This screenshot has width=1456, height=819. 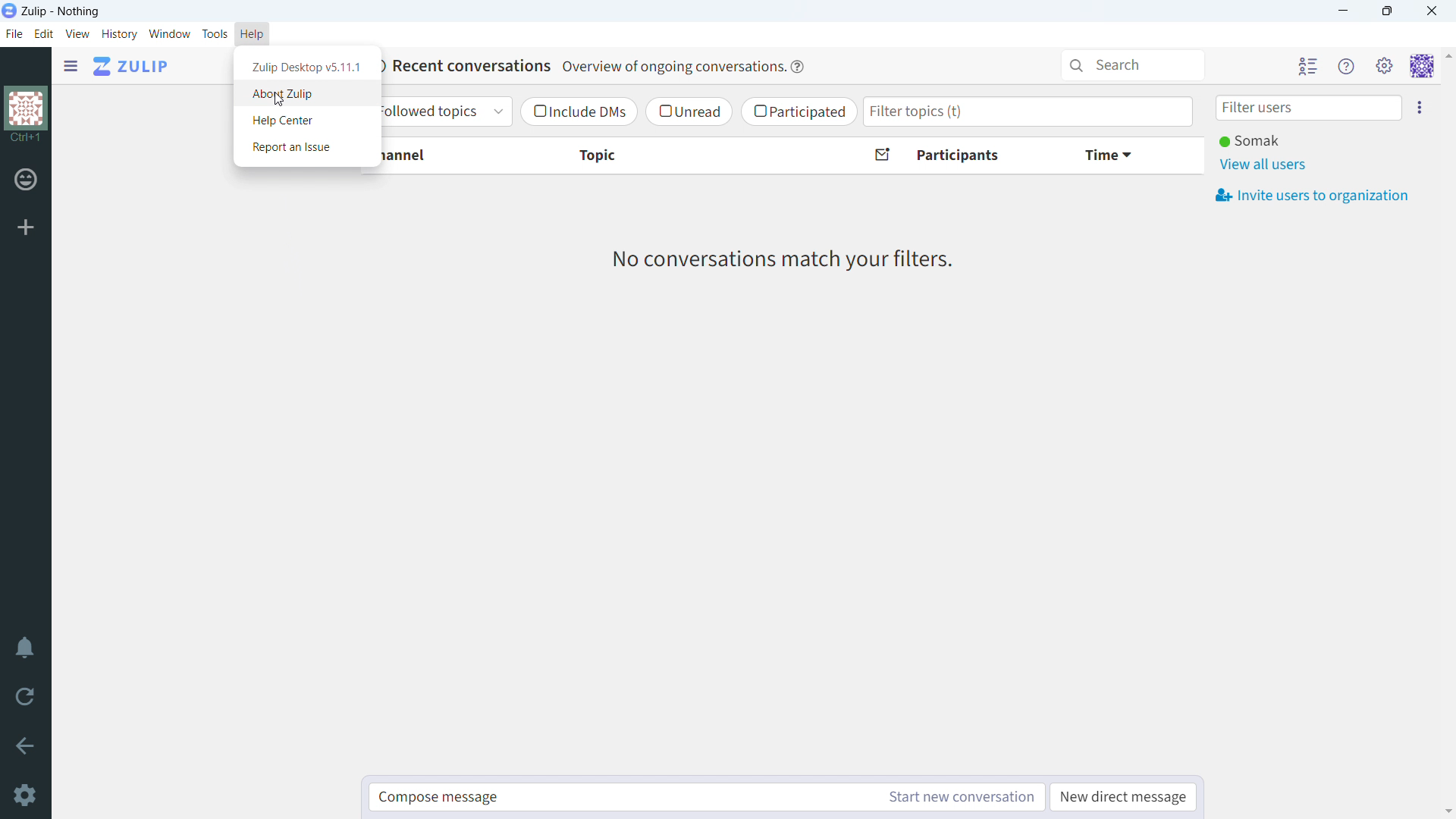 What do you see at coordinates (799, 112) in the screenshot?
I see `participated` at bounding box center [799, 112].